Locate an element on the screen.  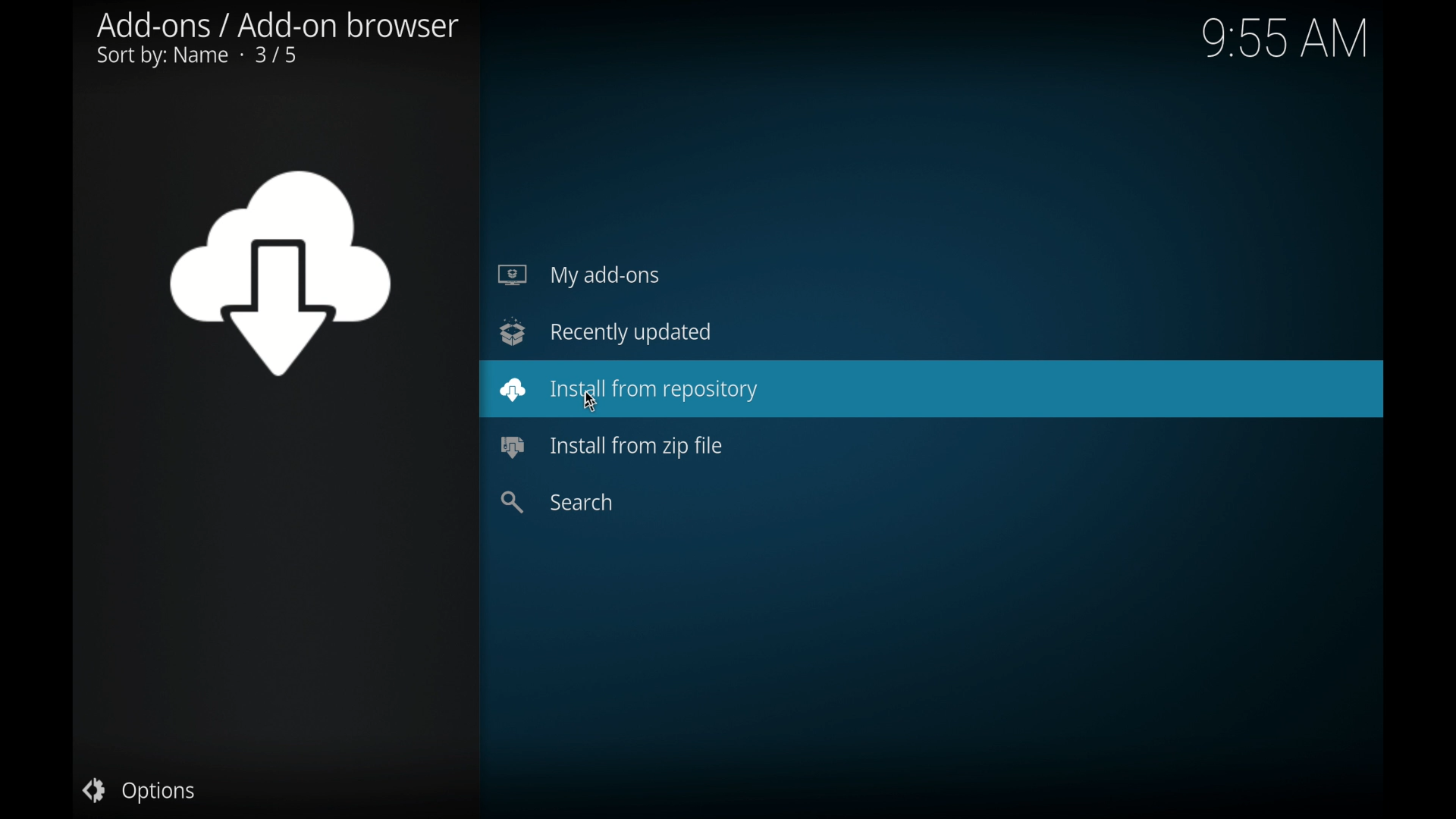
search is located at coordinates (556, 502).